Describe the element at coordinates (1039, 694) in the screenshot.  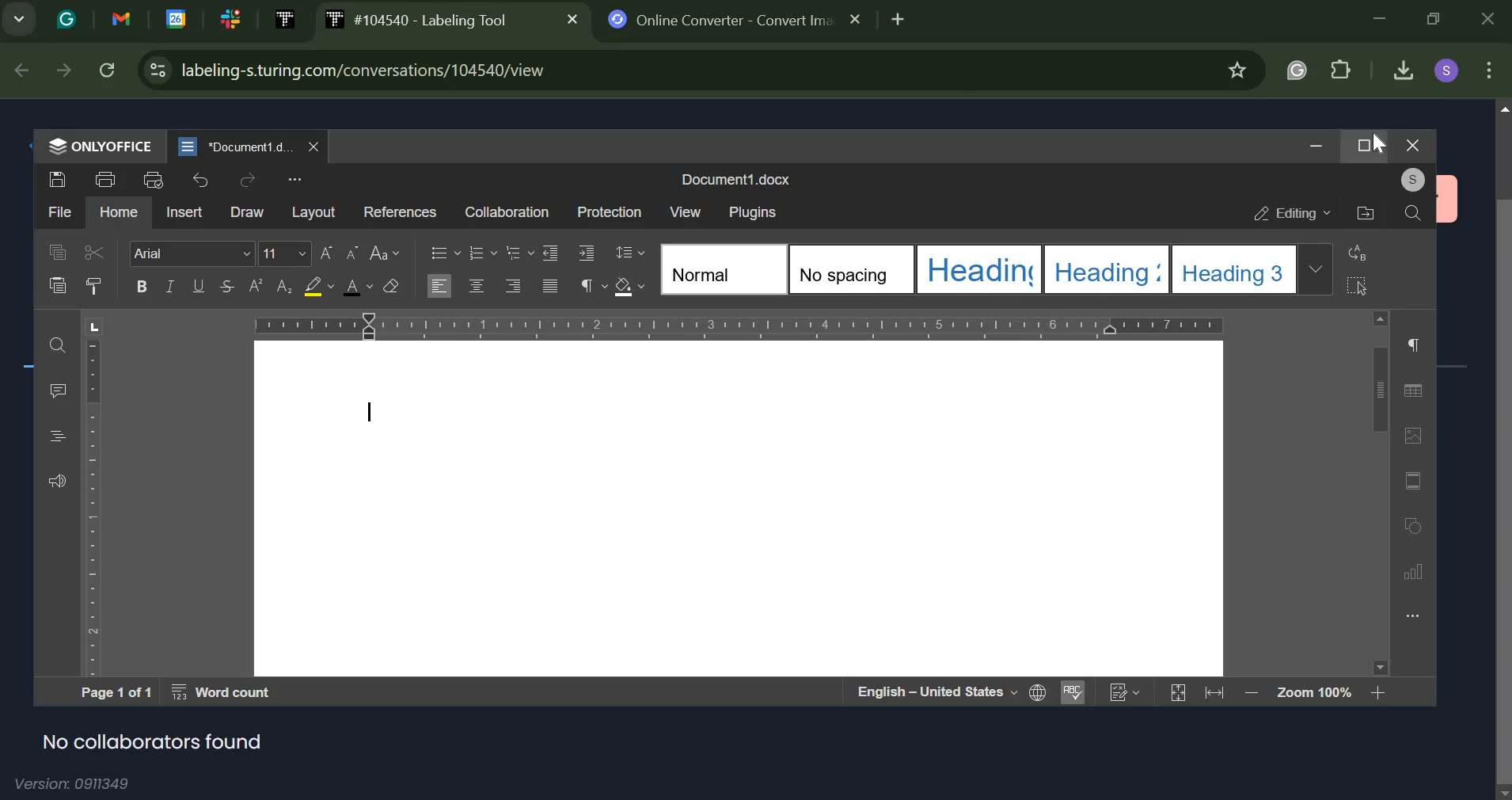
I see `internet icon` at that location.